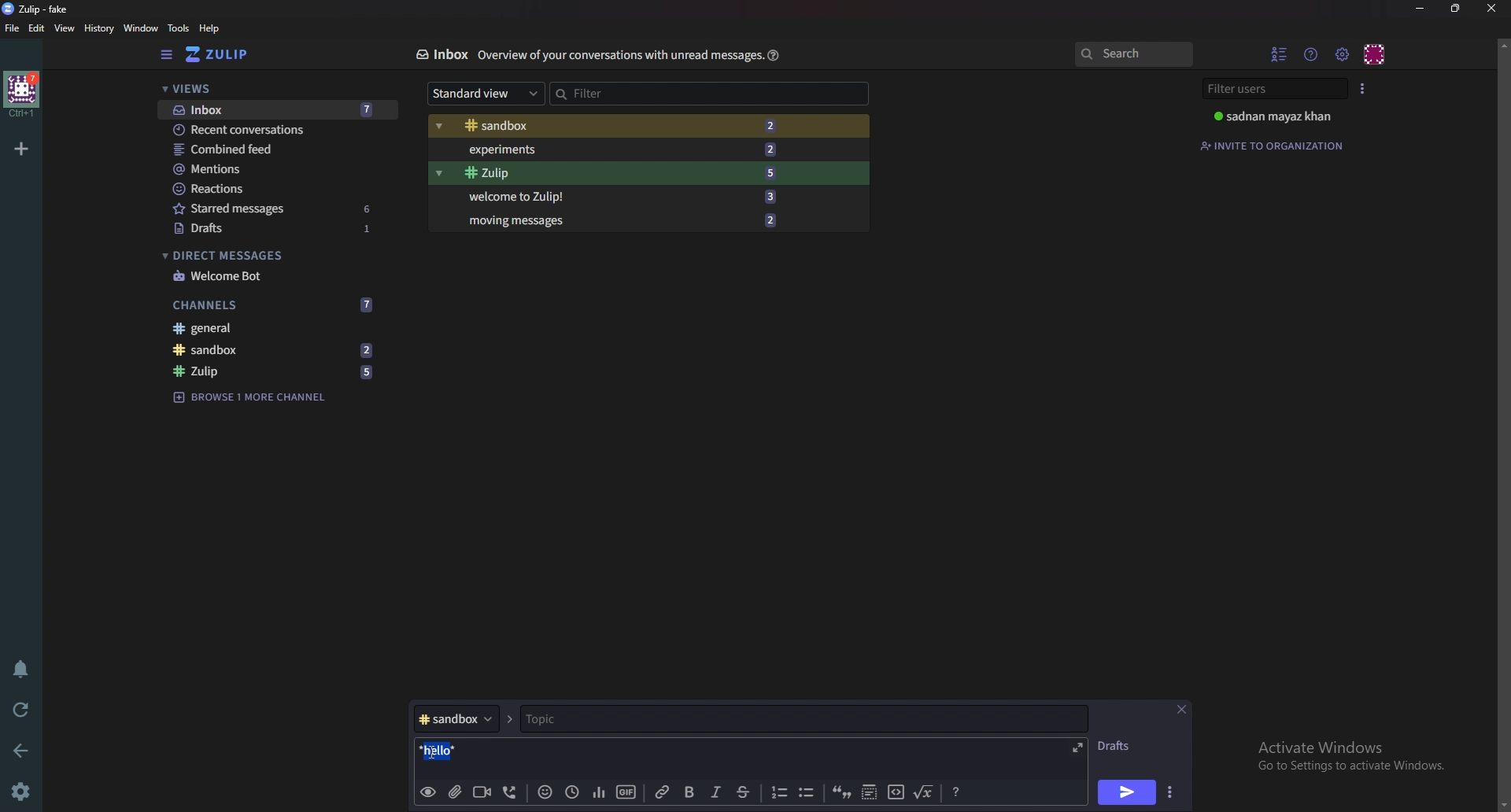 This screenshot has width=1511, height=812. What do you see at coordinates (272, 305) in the screenshot?
I see `Channels 7` at bounding box center [272, 305].